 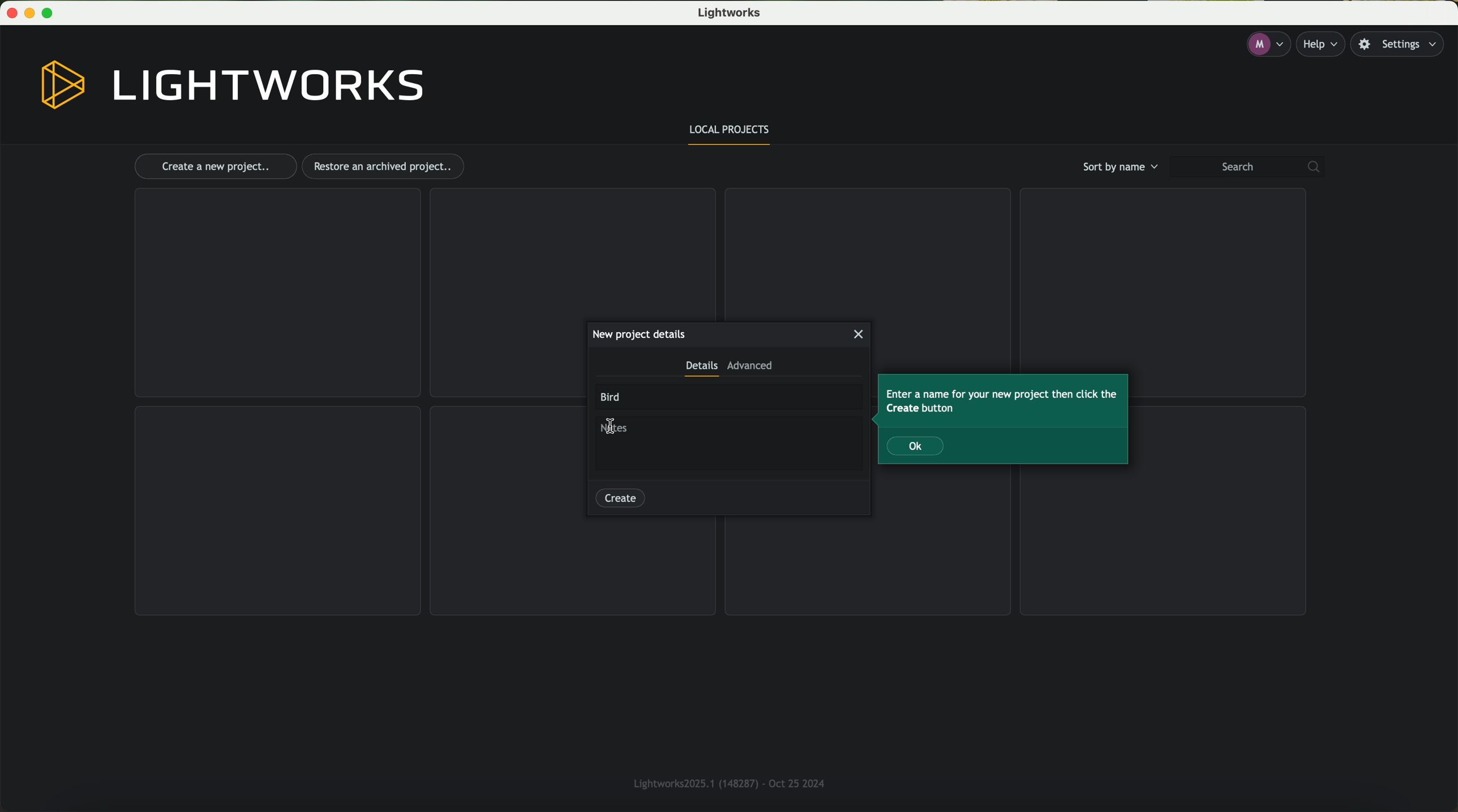 What do you see at coordinates (731, 132) in the screenshot?
I see `local projects` at bounding box center [731, 132].